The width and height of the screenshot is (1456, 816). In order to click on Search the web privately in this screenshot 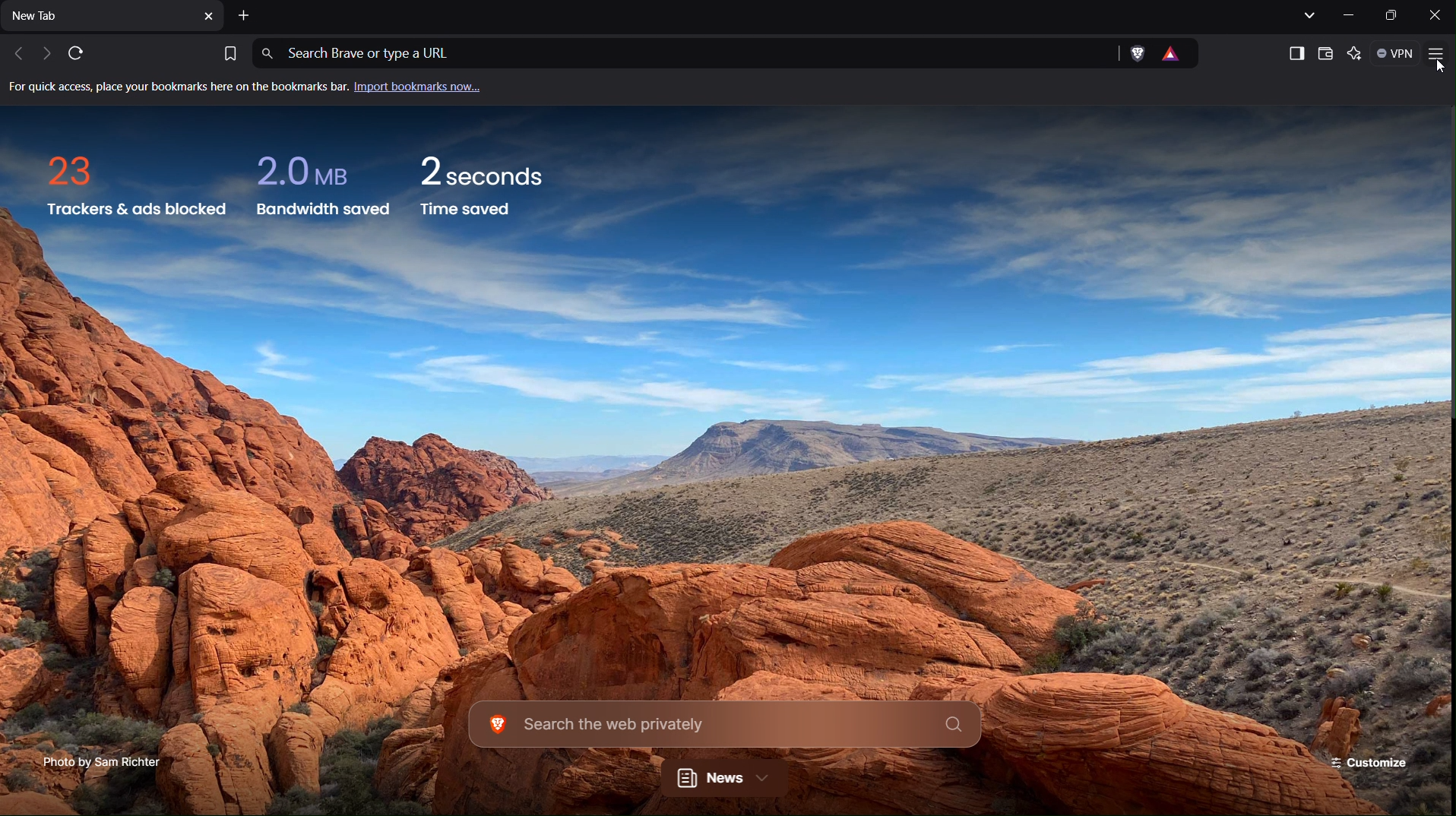, I will do `click(725, 723)`.